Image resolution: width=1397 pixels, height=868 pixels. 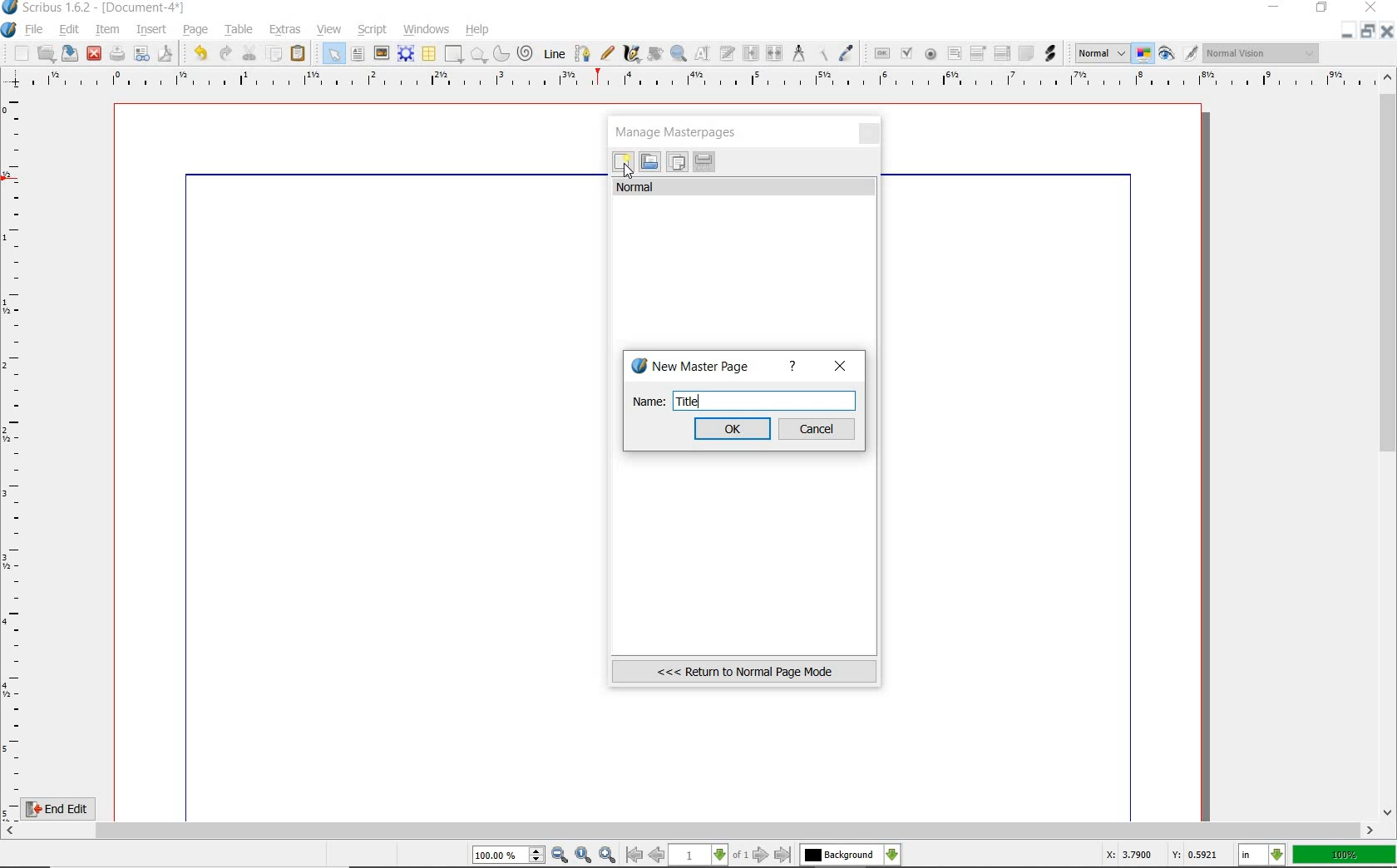 What do you see at coordinates (654, 55) in the screenshot?
I see `rotate item` at bounding box center [654, 55].